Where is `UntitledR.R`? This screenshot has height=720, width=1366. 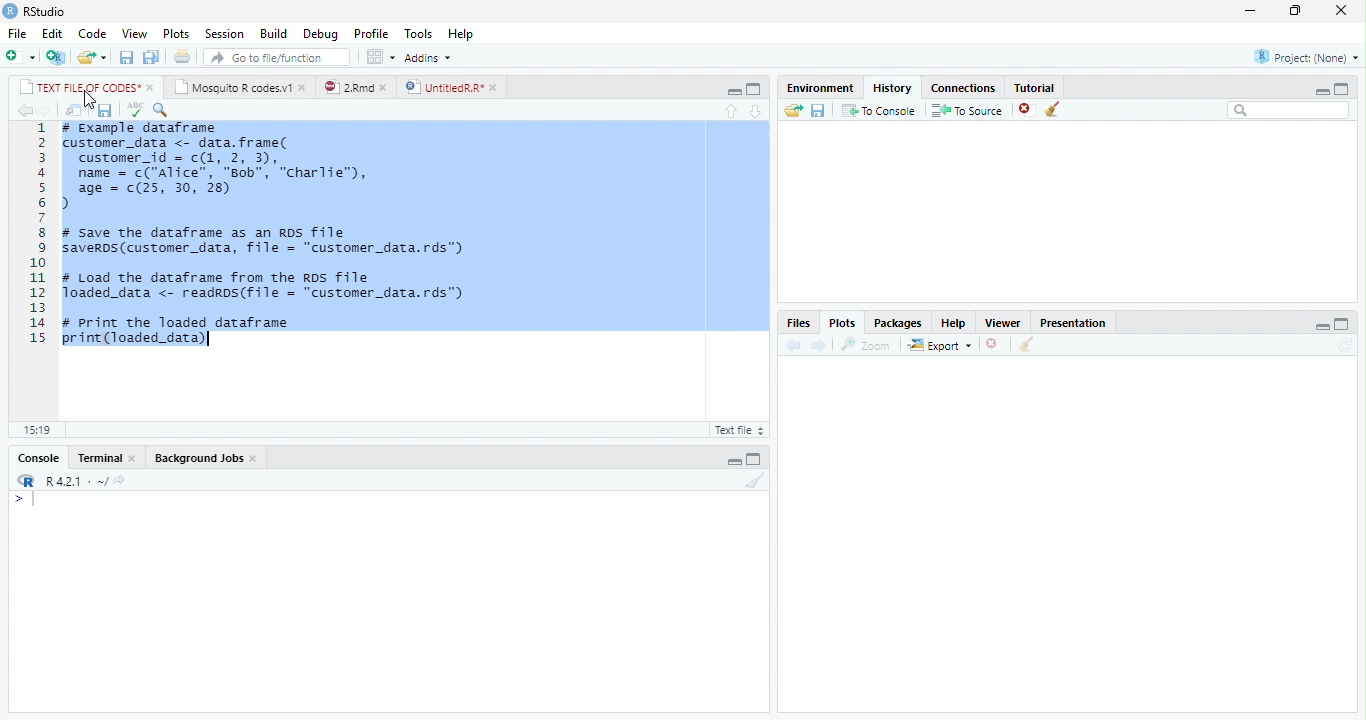
UntitledR.R is located at coordinates (443, 86).